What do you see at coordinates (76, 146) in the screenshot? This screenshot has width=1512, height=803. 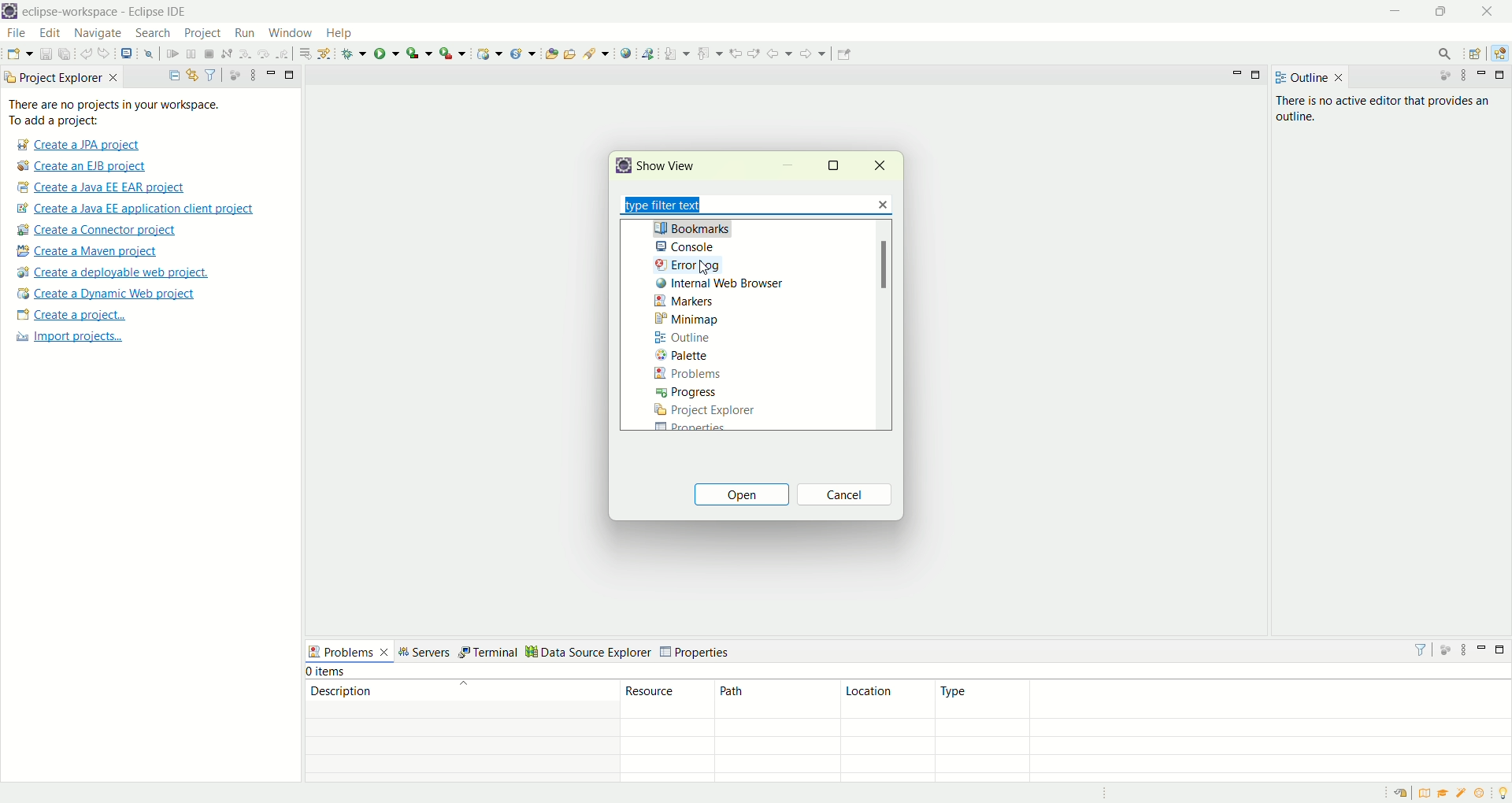 I see `create a JPA project` at bounding box center [76, 146].